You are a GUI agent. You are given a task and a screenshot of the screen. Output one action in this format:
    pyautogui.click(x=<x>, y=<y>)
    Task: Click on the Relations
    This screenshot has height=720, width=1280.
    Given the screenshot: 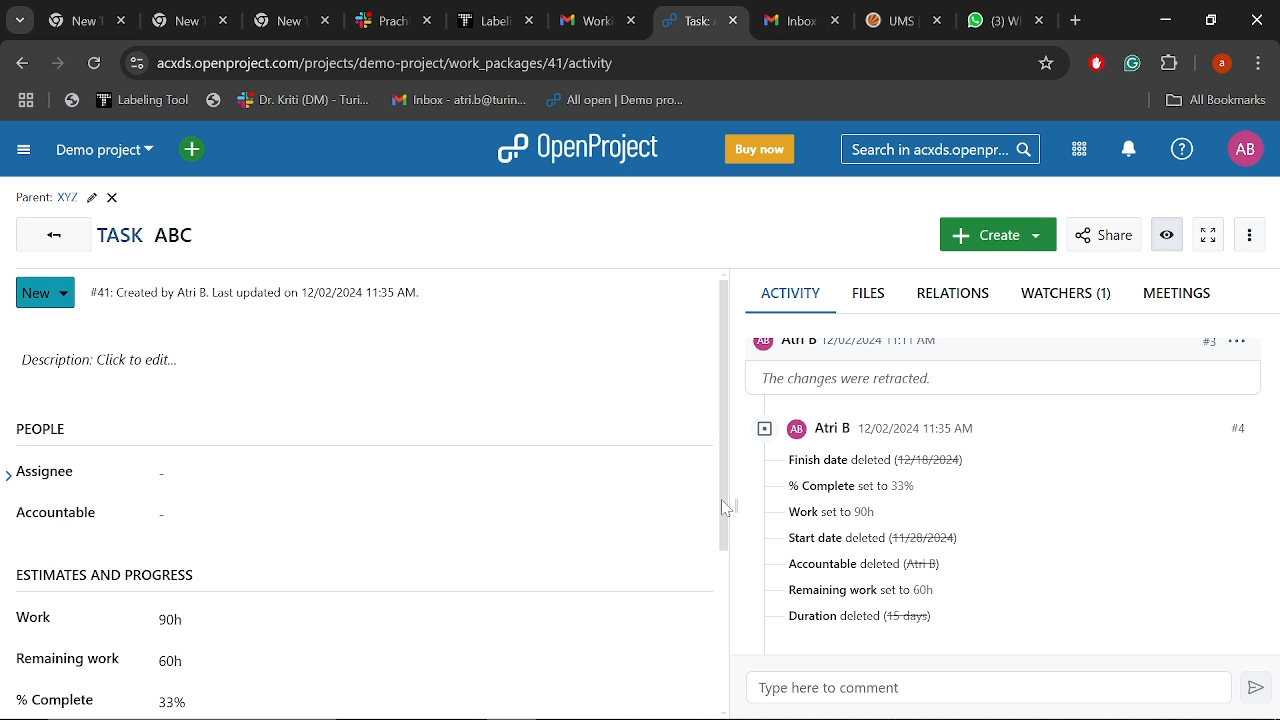 What is the action you would take?
    pyautogui.click(x=958, y=295)
    